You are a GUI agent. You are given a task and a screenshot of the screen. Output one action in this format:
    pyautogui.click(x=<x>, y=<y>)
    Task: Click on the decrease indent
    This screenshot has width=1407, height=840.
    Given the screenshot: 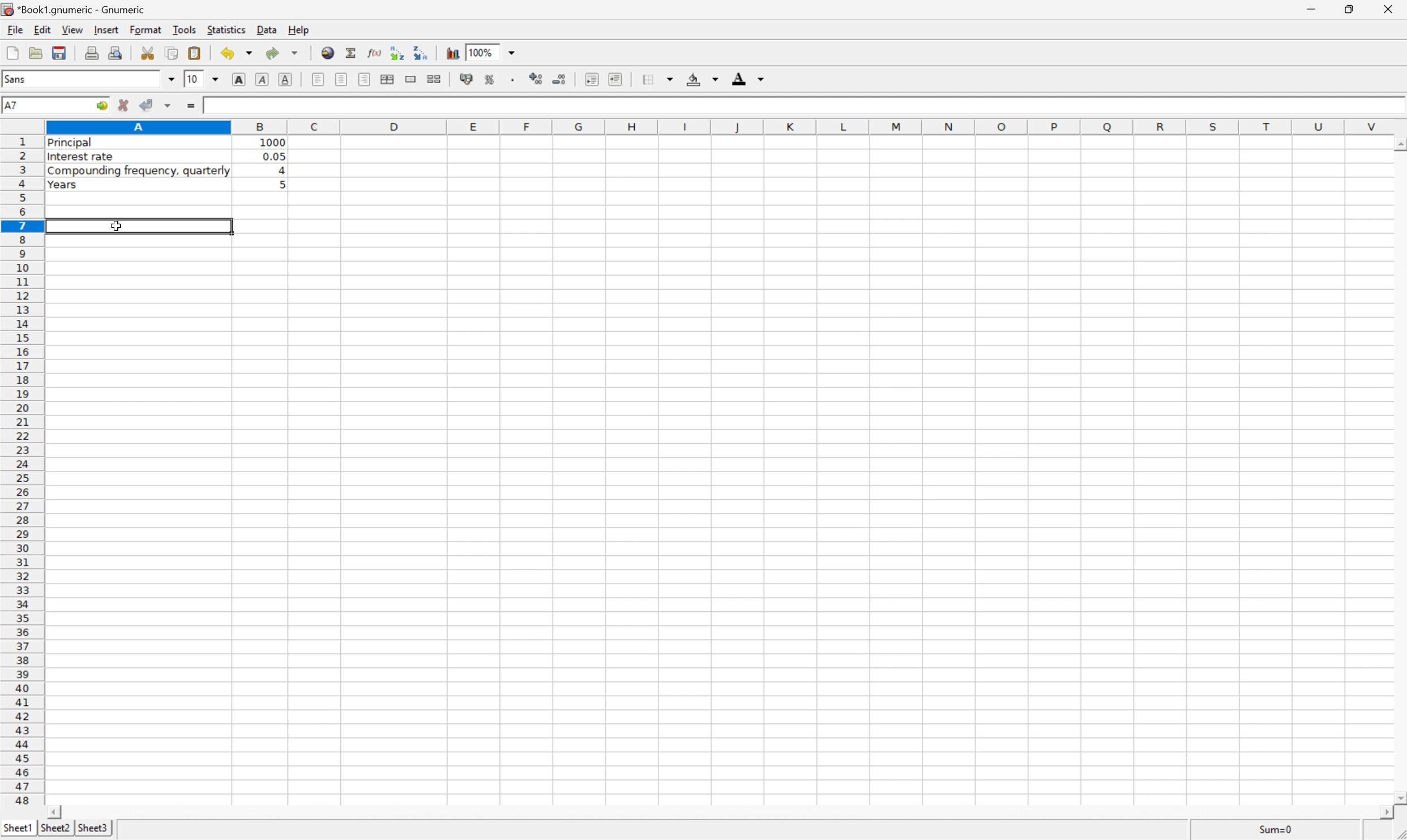 What is the action you would take?
    pyautogui.click(x=592, y=79)
    